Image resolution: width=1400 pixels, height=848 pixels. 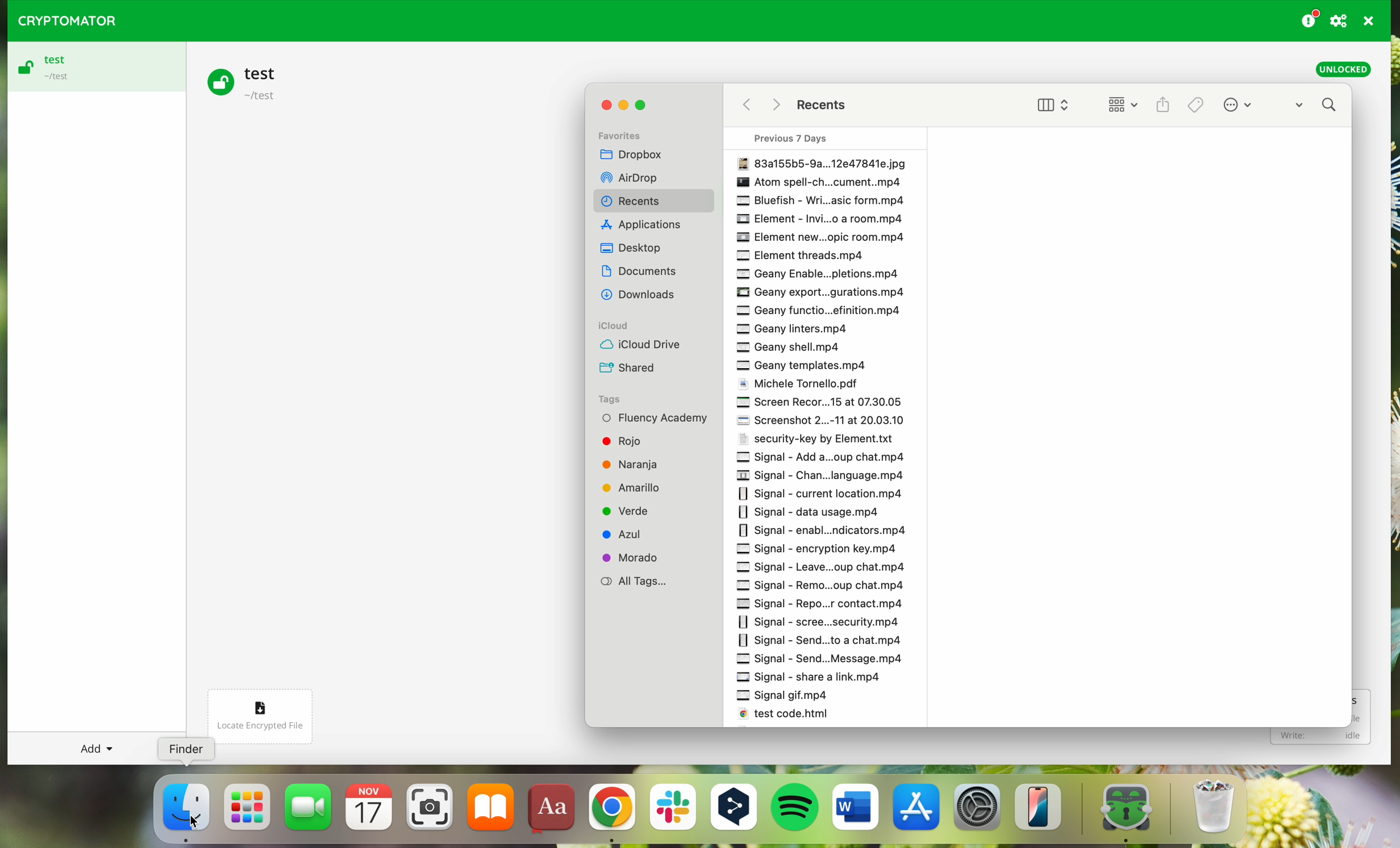 I want to click on Signal gif, so click(x=789, y=697).